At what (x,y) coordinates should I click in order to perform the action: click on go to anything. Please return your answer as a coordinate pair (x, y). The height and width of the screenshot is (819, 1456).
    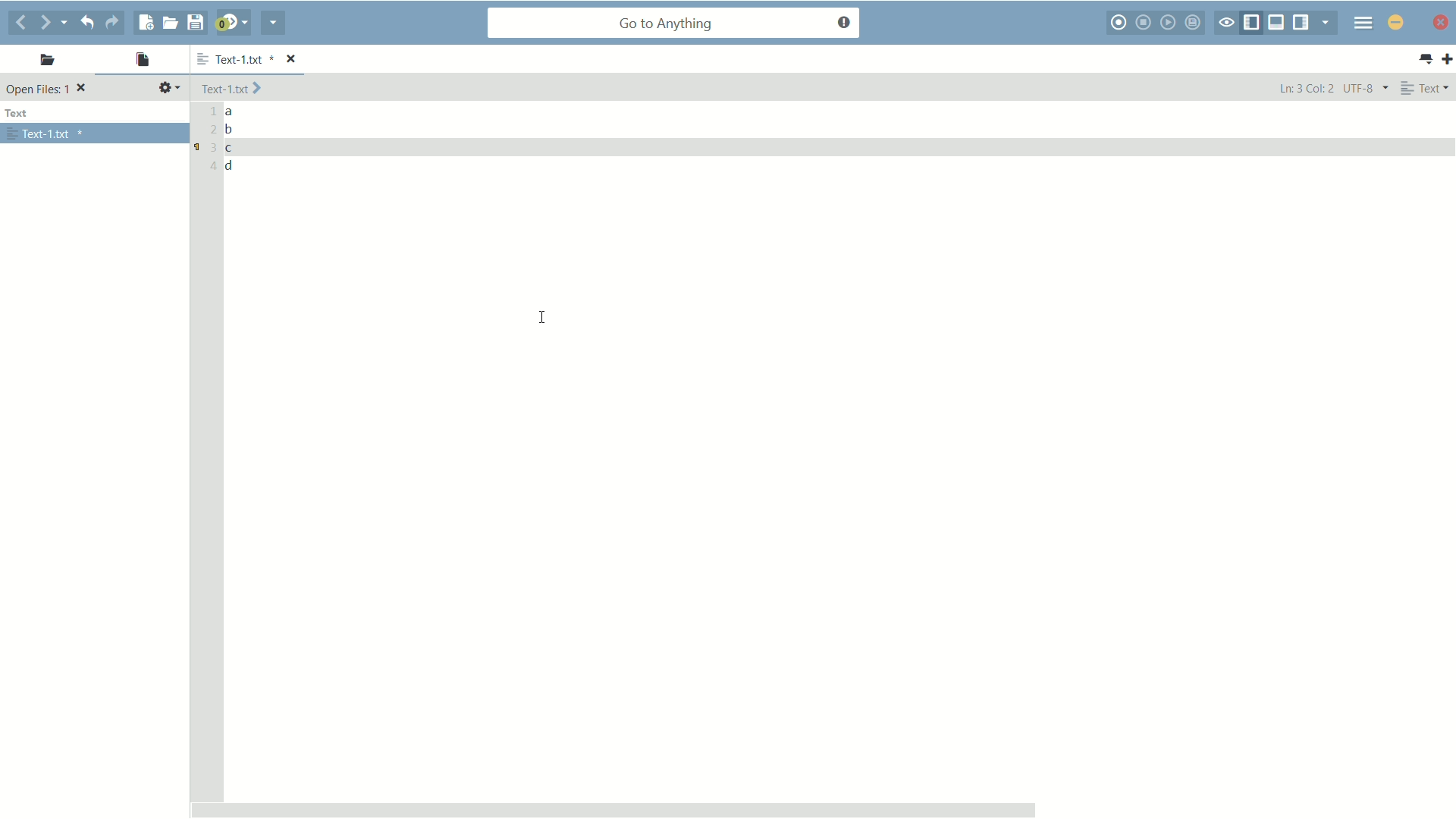
    Looking at the image, I should click on (676, 24).